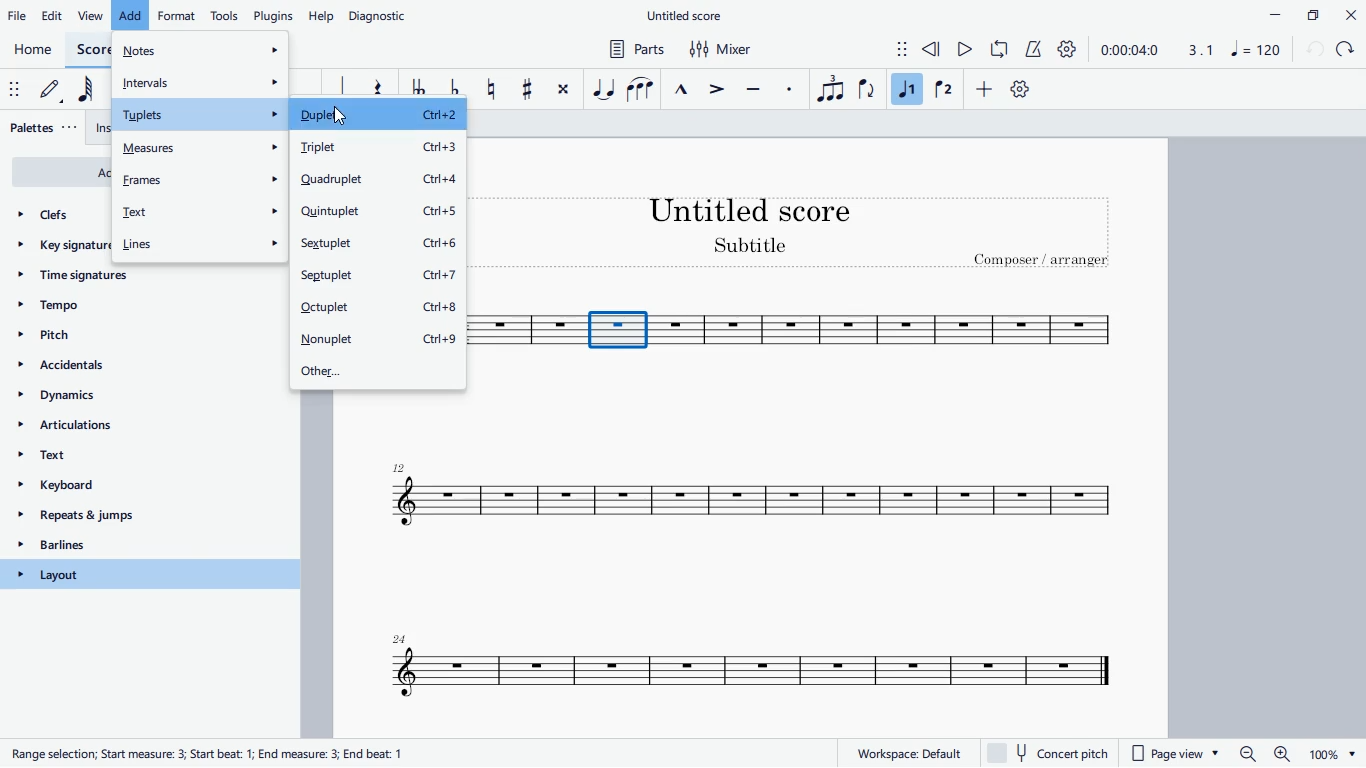 This screenshot has height=768, width=1366. I want to click on tie, so click(603, 88).